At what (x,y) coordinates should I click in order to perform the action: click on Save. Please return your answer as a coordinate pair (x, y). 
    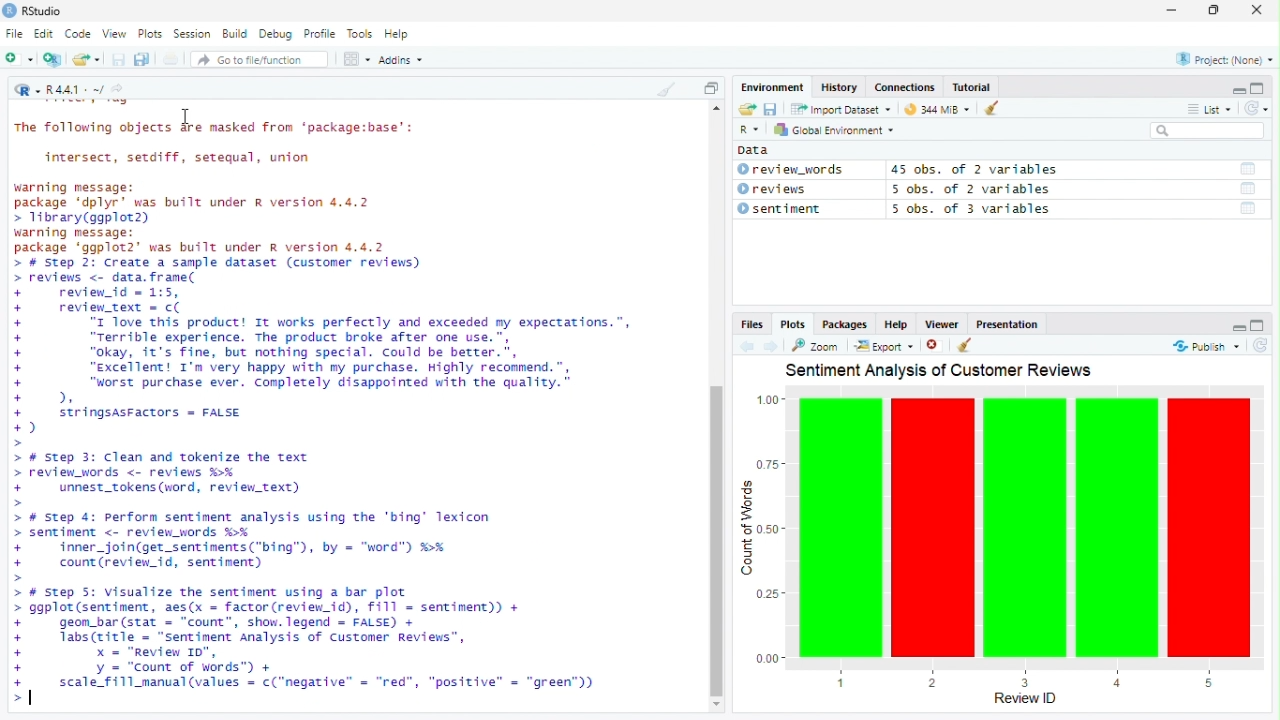
    Looking at the image, I should click on (119, 59).